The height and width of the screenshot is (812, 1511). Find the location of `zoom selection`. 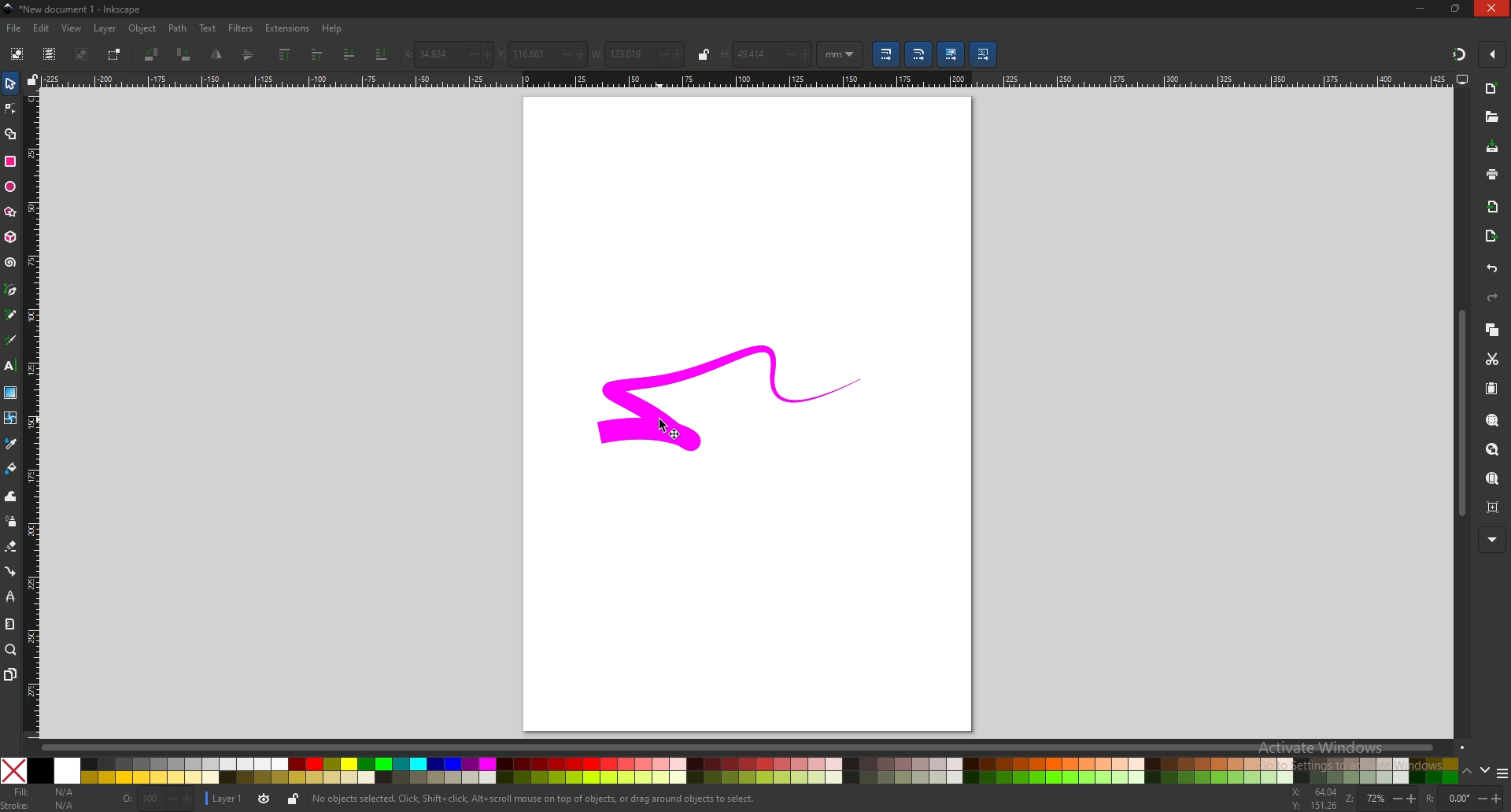

zoom selection is located at coordinates (1493, 422).